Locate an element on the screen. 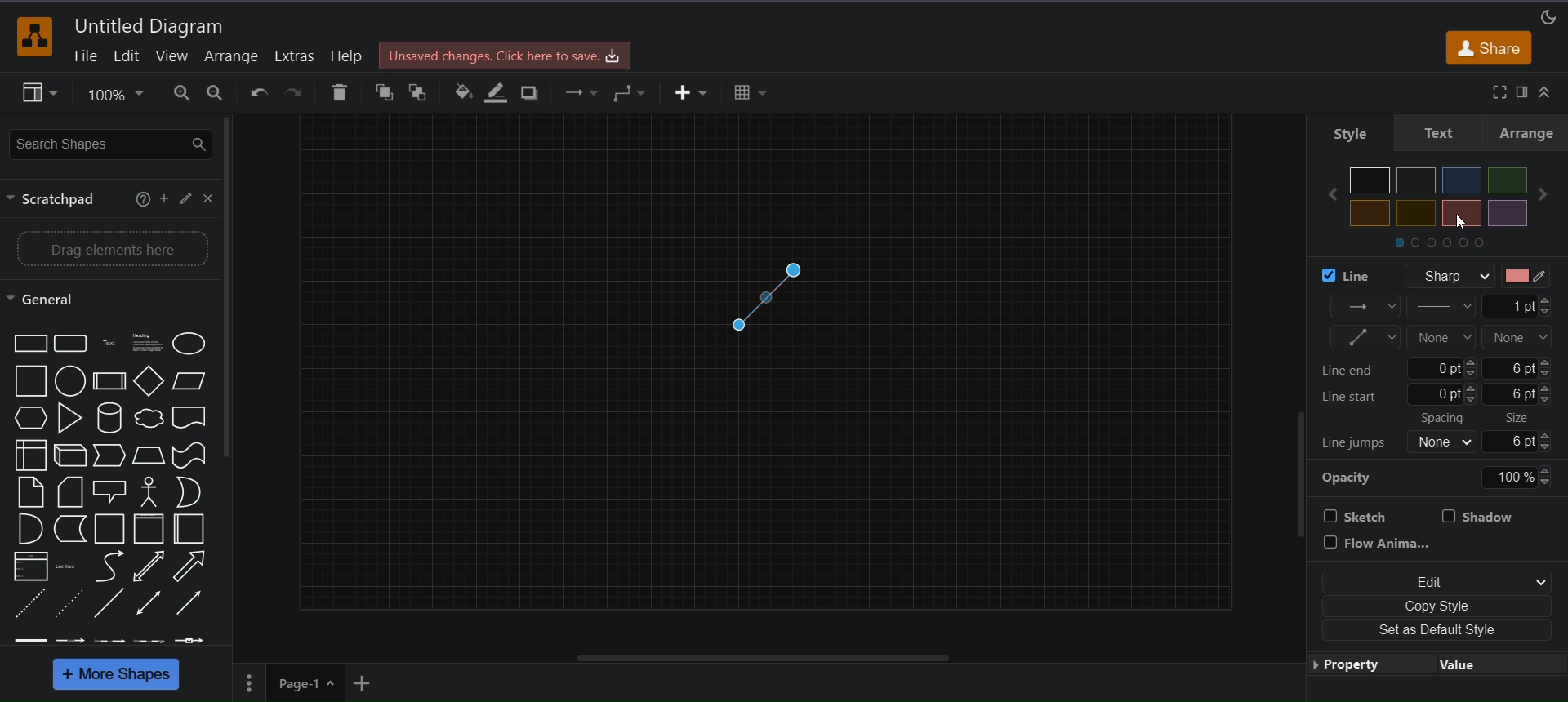  value is located at coordinates (1455, 664).